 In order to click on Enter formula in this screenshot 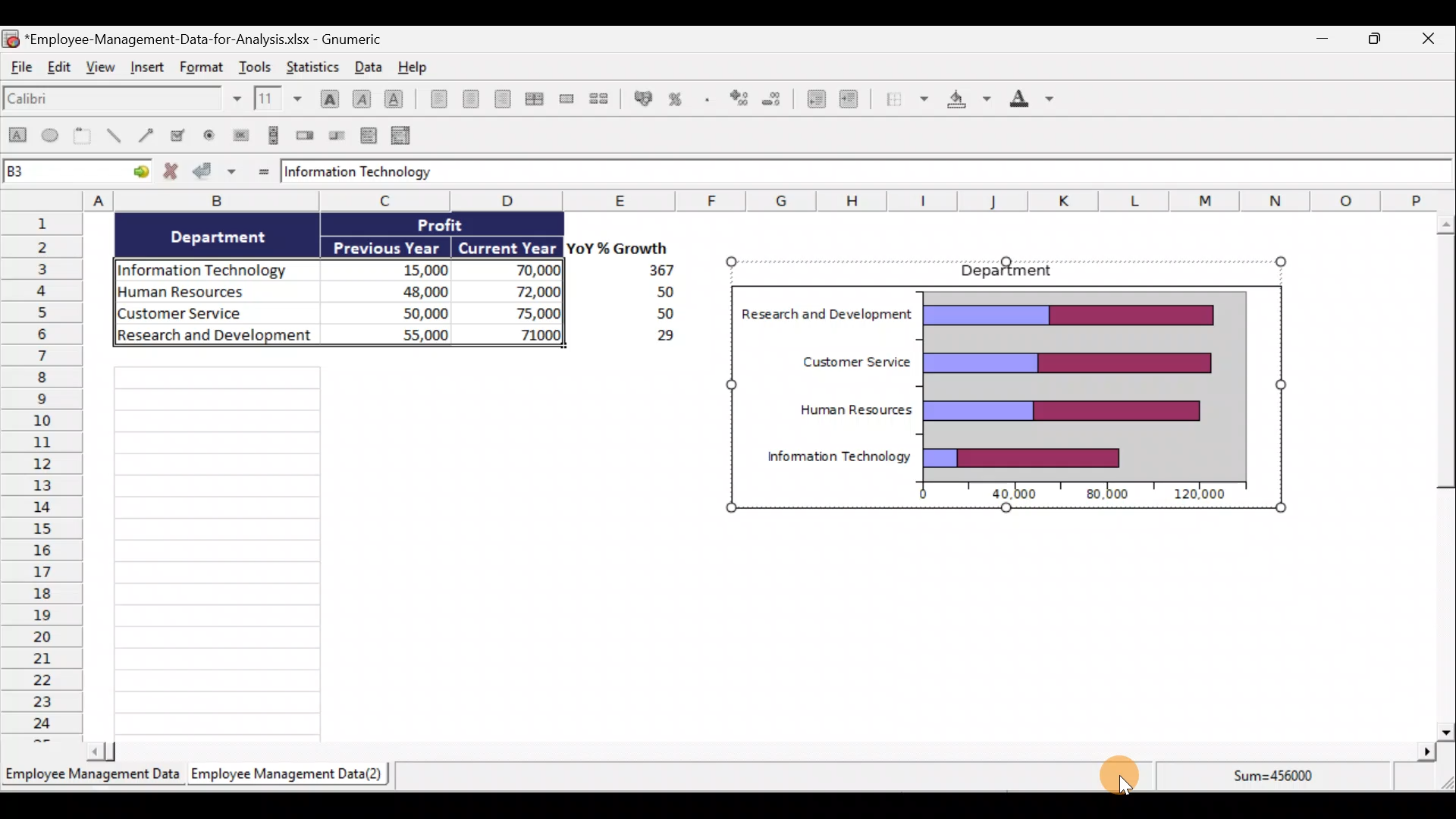, I will do `click(260, 171)`.